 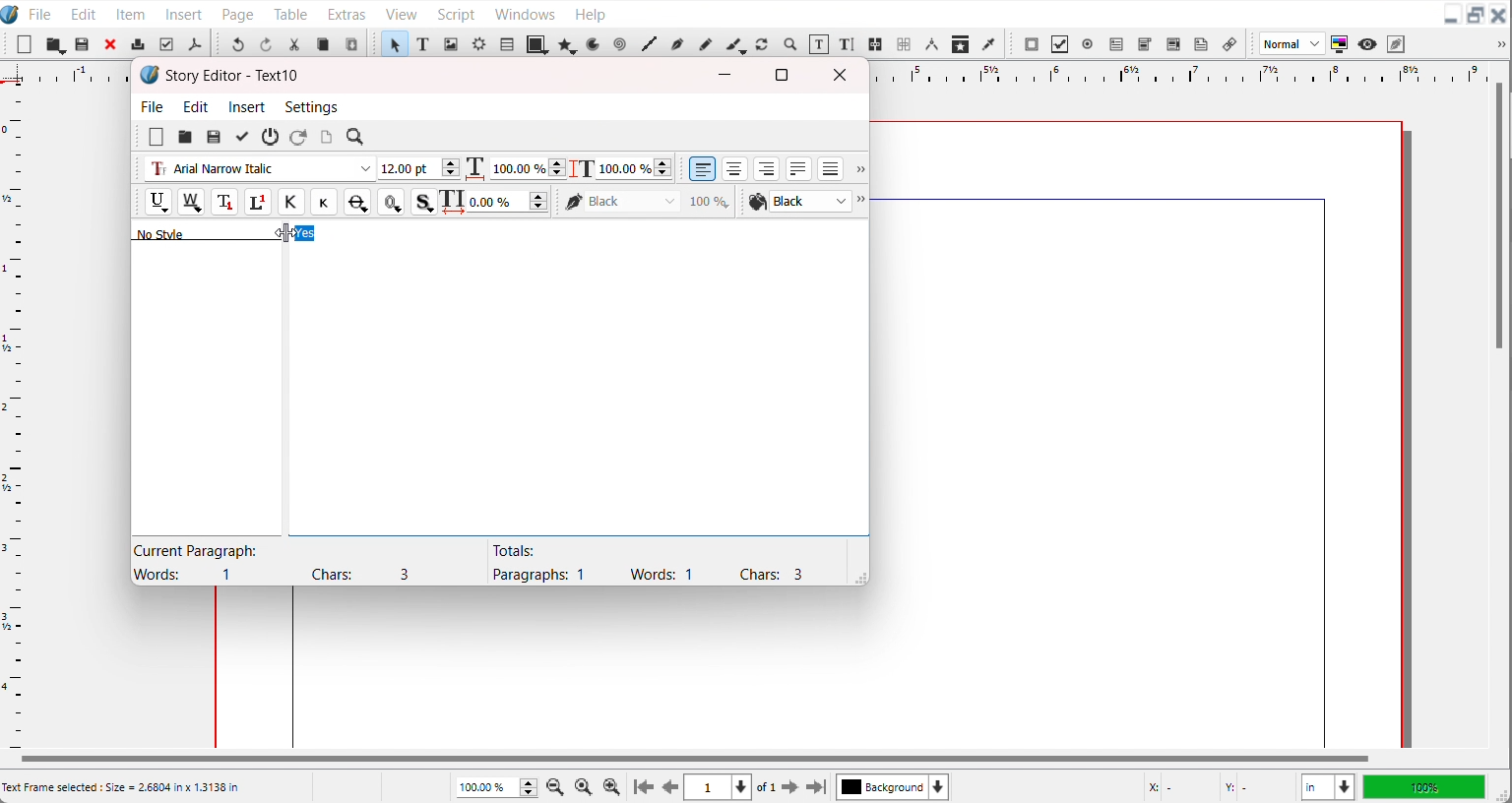 What do you see at coordinates (816, 787) in the screenshot?
I see `Go to the last page` at bounding box center [816, 787].